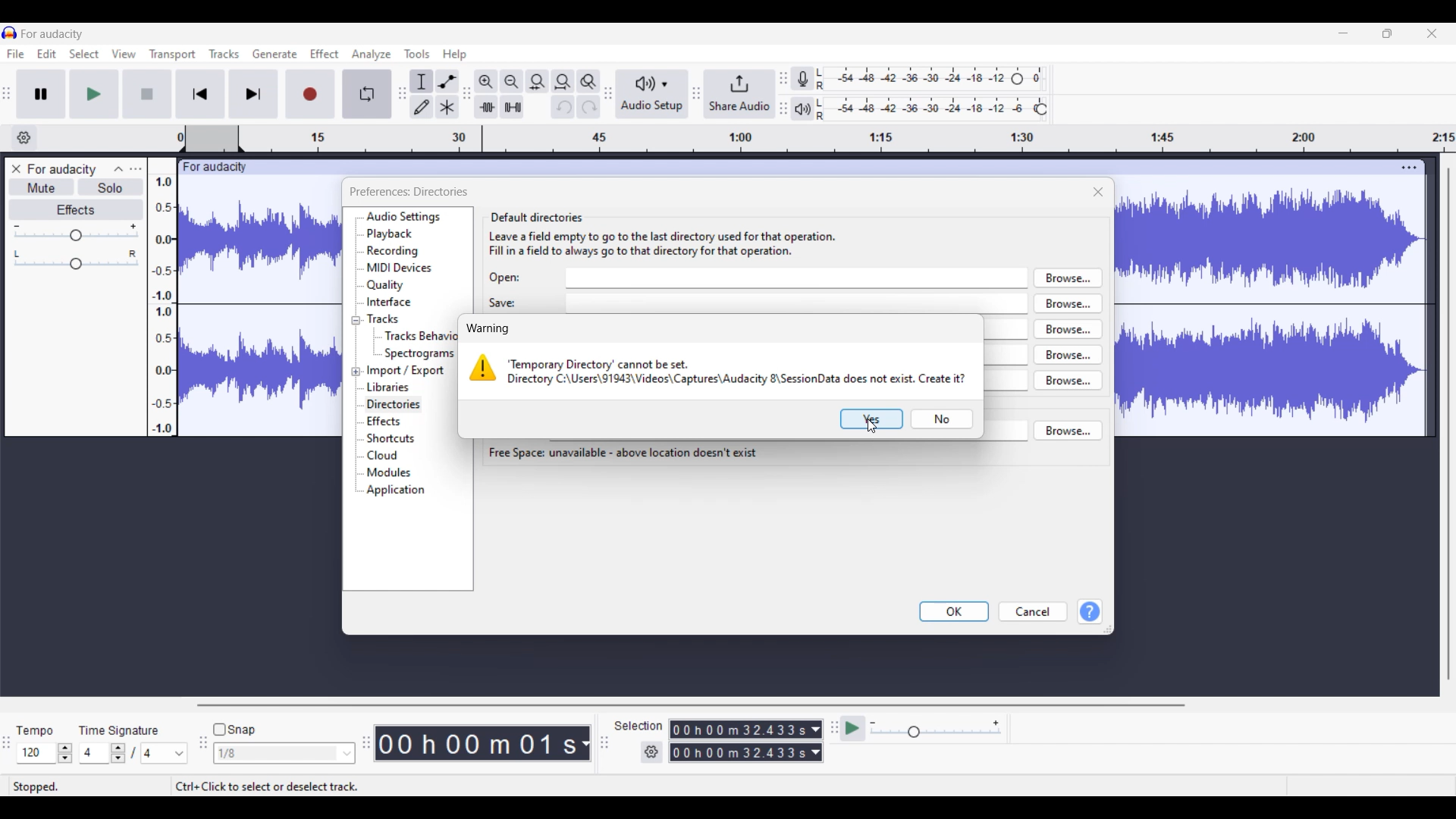 The width and height of the screenshot is (1456, 819). Describe the element at coordinates (65, 753) in the screenshot. I see `Increase/Decrease Tempo` at that location.